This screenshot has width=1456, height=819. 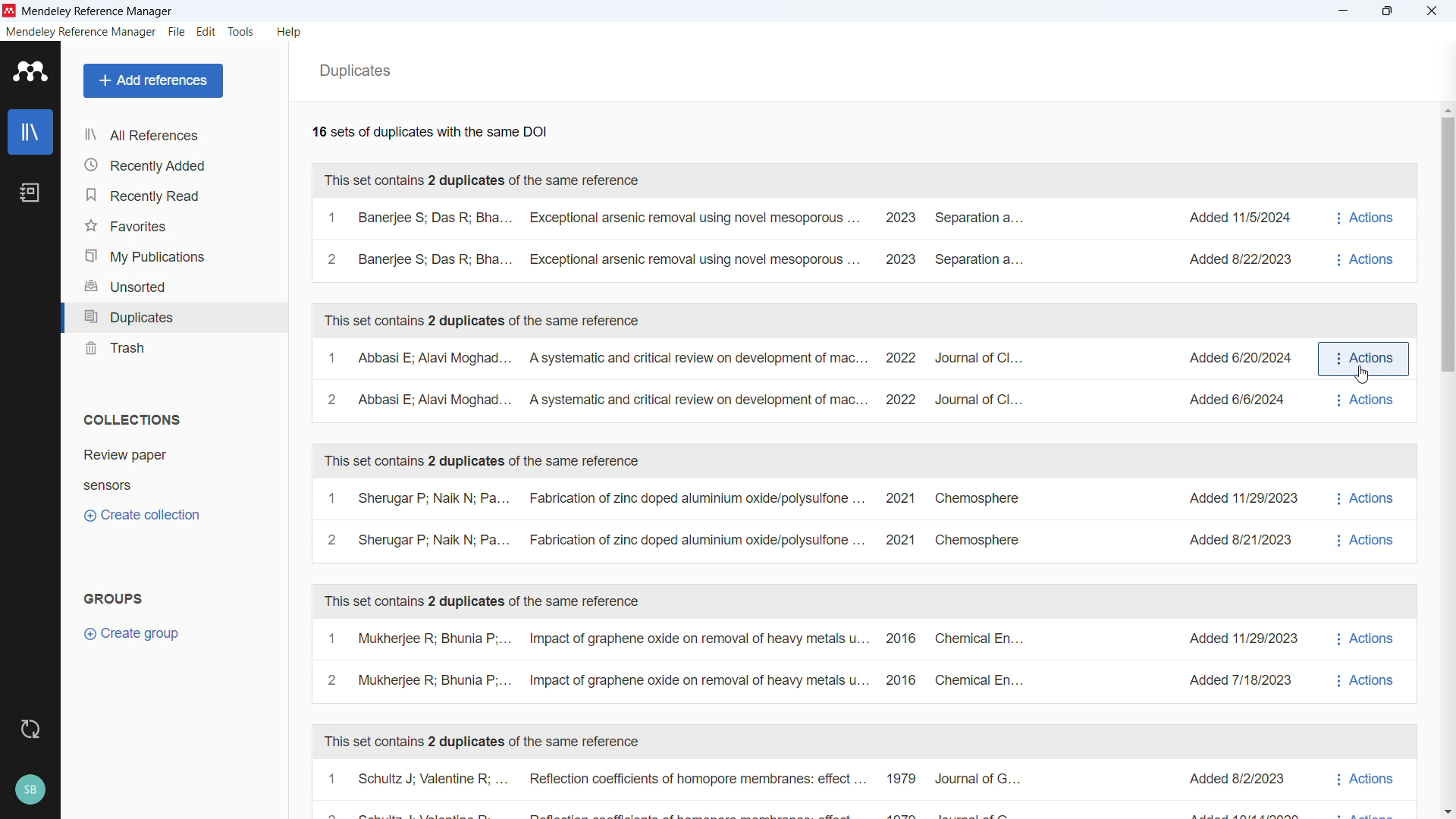 What do you see at coordinates (241, 32) in the screenshot?
I see `tools` at bounding box center [241, 32].